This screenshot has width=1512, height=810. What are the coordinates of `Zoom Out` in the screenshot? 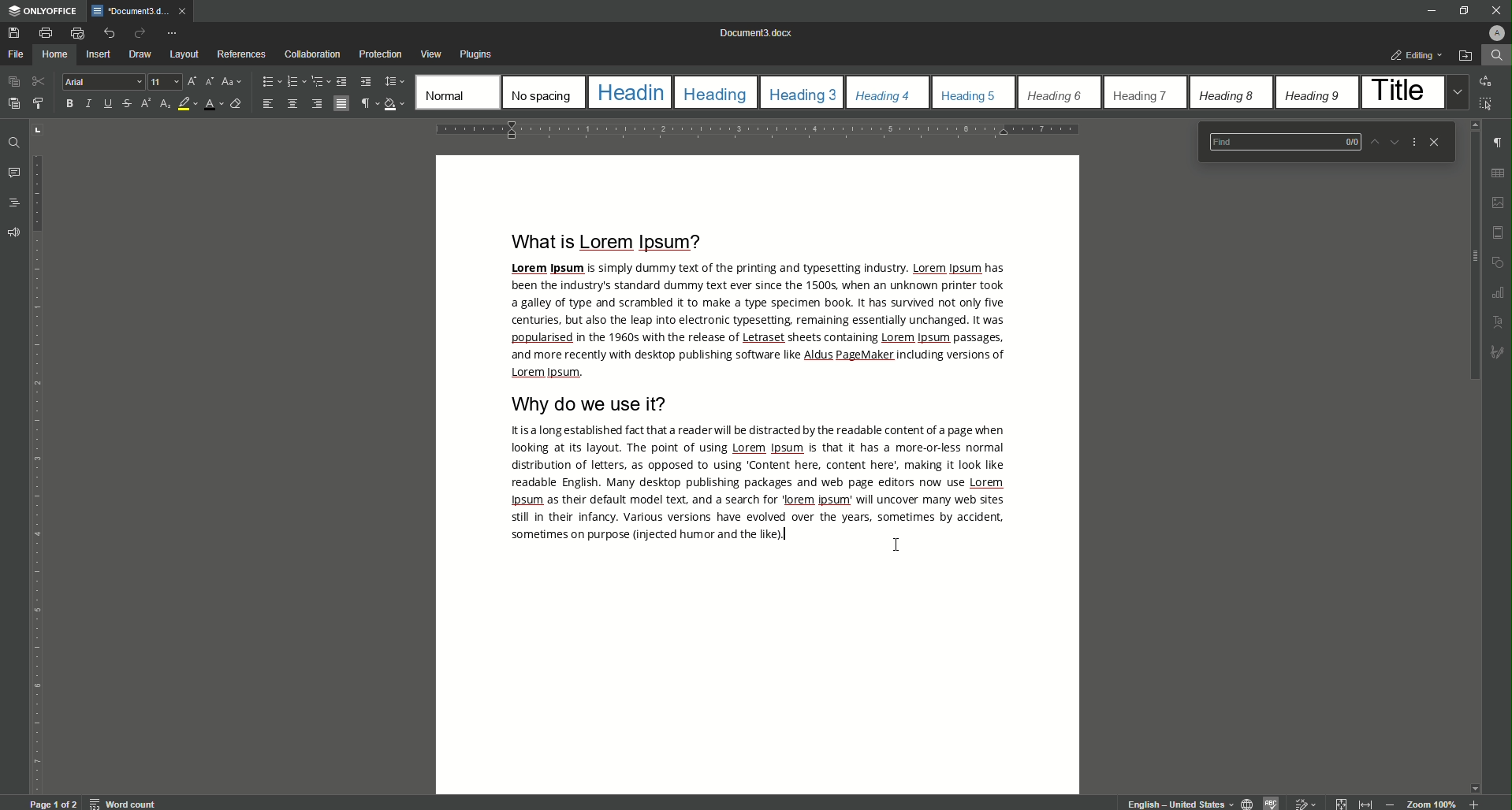 It's located at (1391, 803).